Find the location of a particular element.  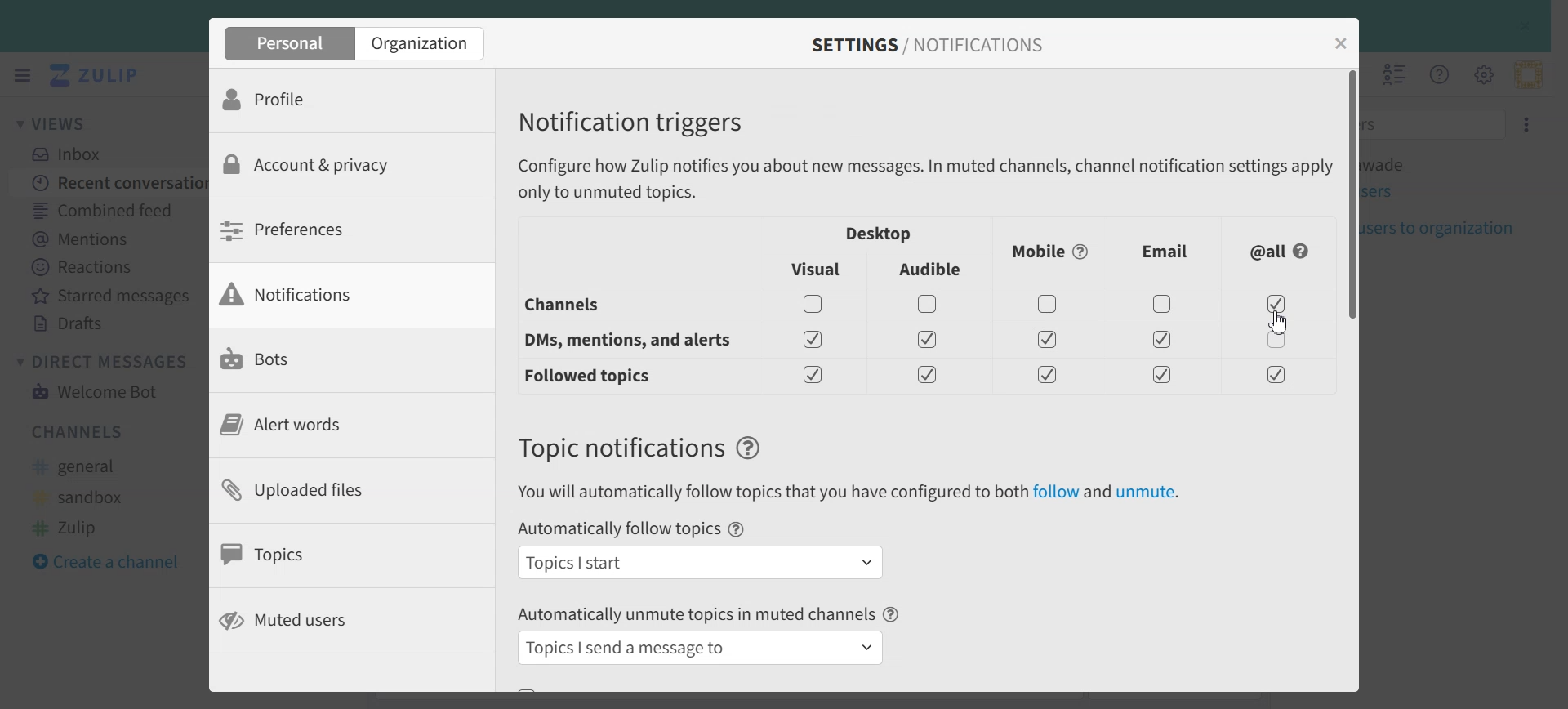

SETTINGS / NOTIFICATIONS is located at coordinates (925, 45).